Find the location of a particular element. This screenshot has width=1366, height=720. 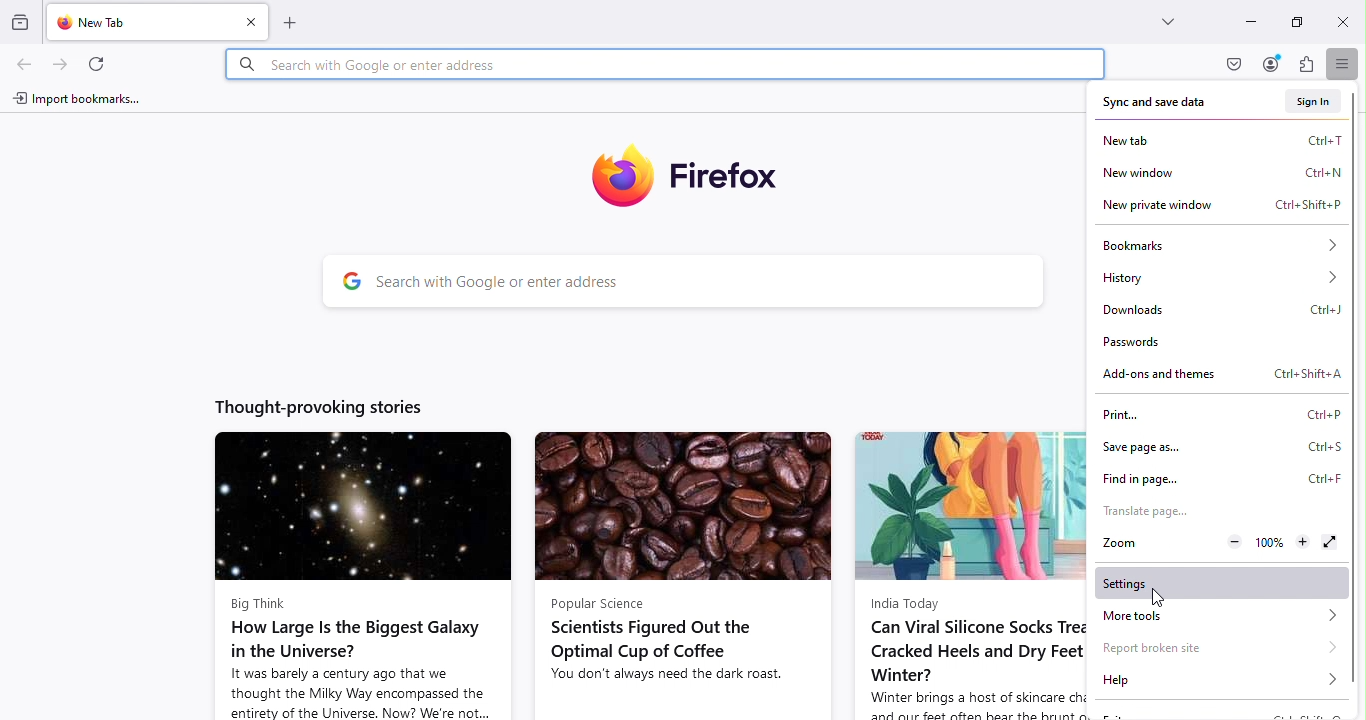

Print is located at coordinates (1216, 414).